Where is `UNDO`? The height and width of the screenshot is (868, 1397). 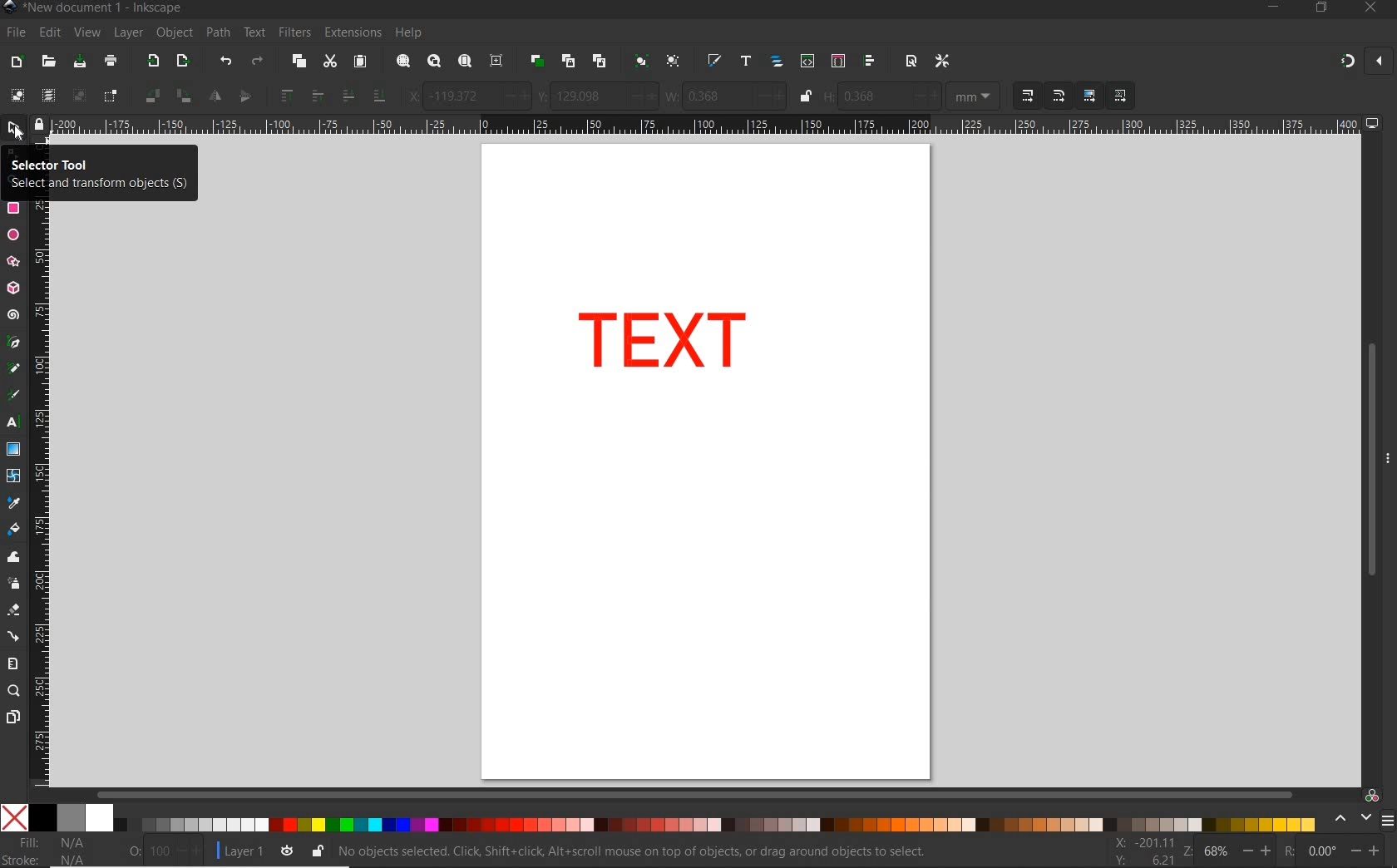 UNDO is located at coordinates (225, 60).